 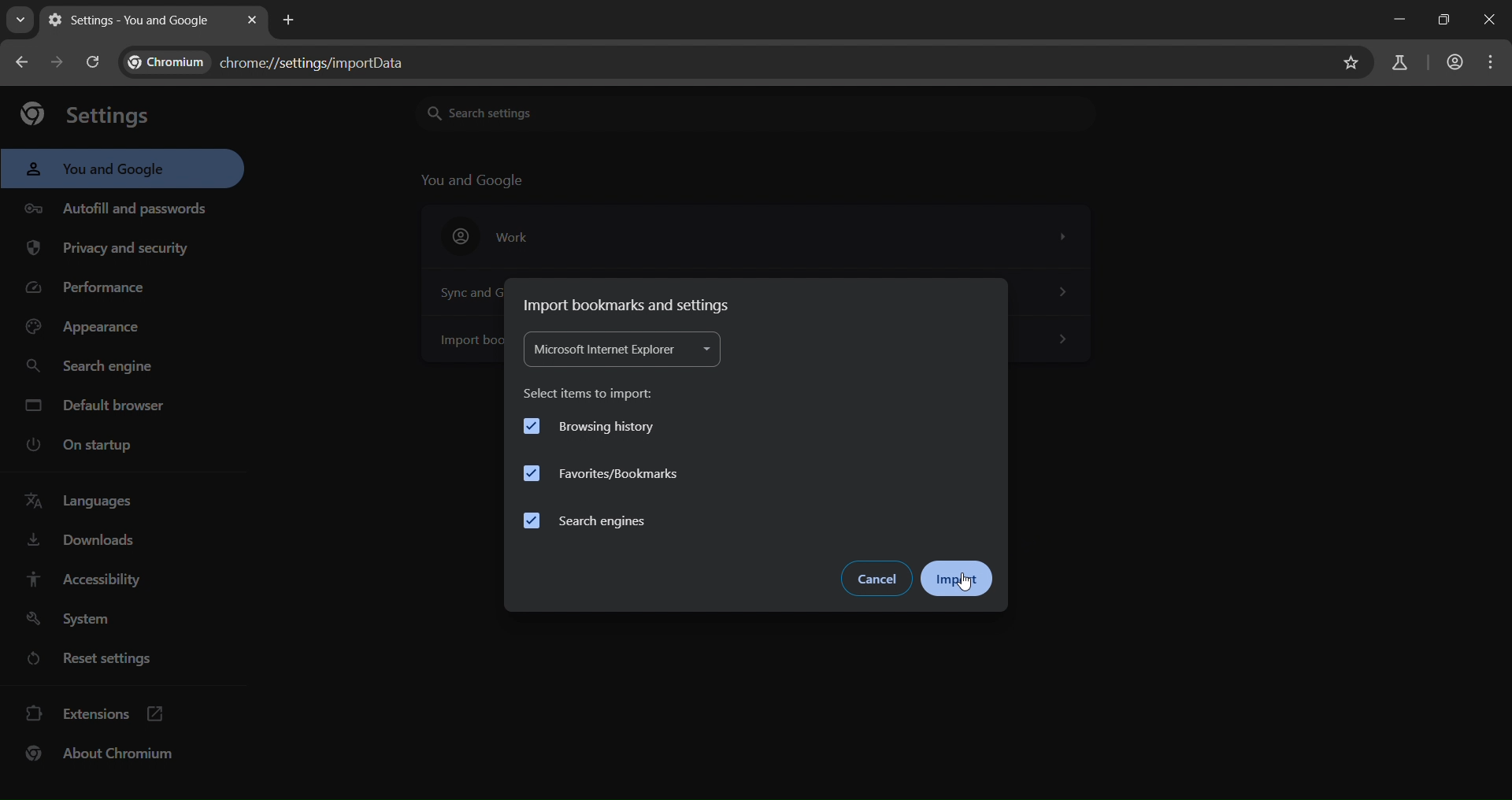 I want to click on , so click(x=1067, y=293).